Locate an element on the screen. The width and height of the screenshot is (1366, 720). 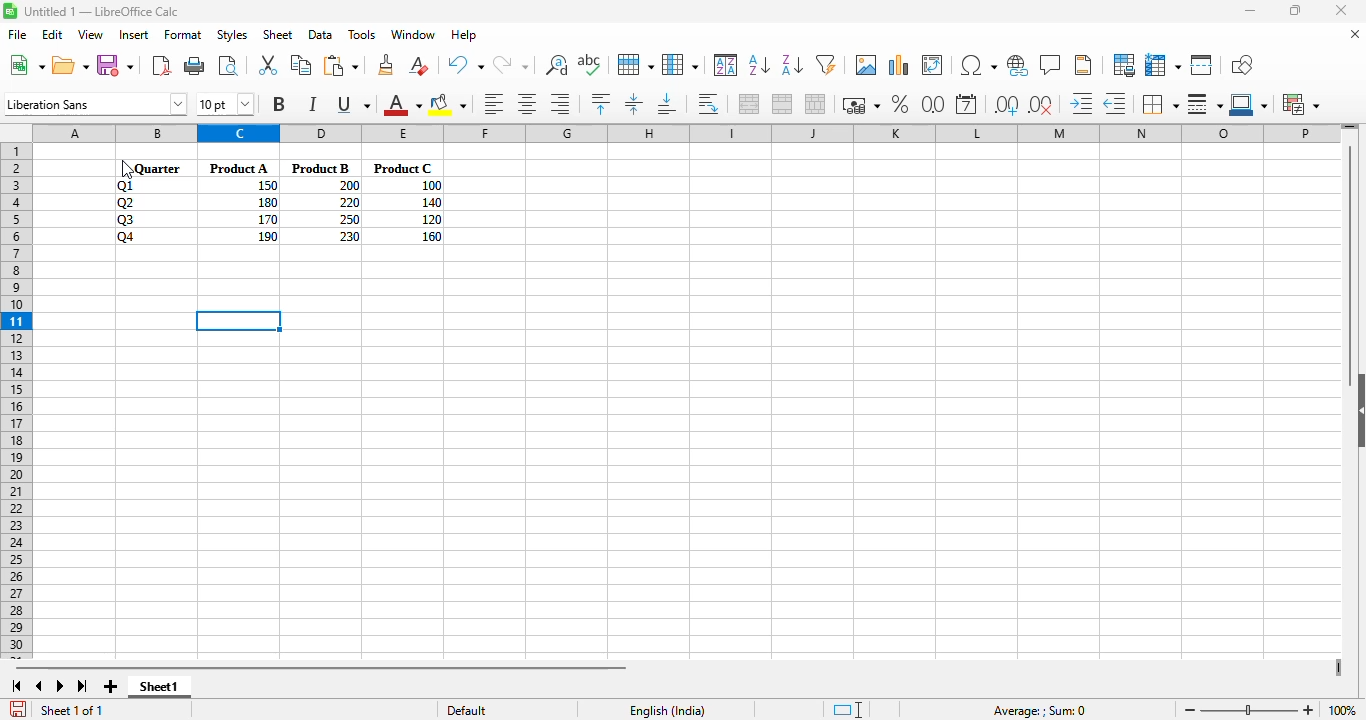
Collapse/Expand is located at coordinates (1361, 410).